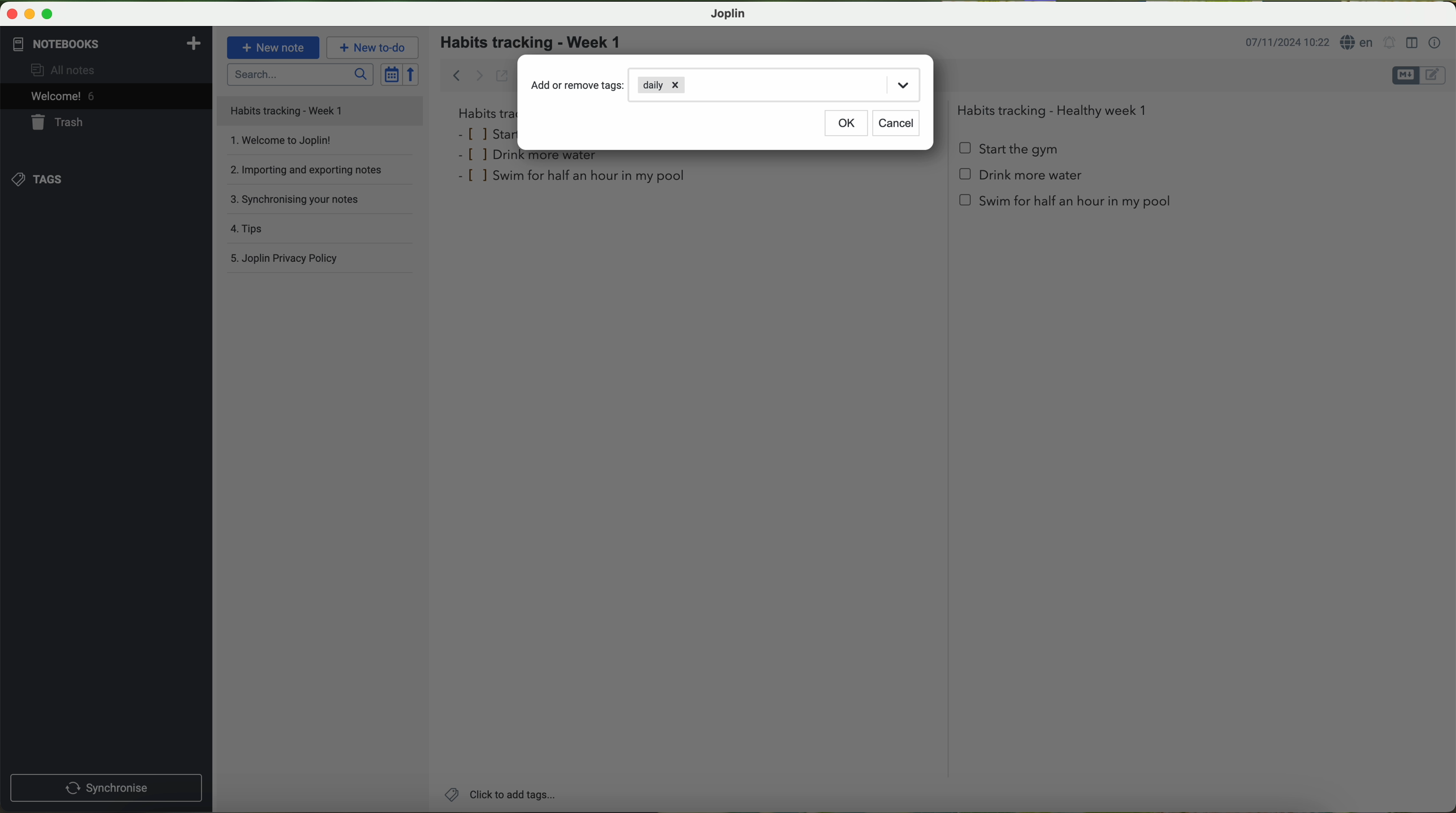 Image resolution: width=1456 pixels, height=813 pixels. What do you see at coordinates (9, 12) in the screenshot?
I see `close` at bounding box center [9, 12].